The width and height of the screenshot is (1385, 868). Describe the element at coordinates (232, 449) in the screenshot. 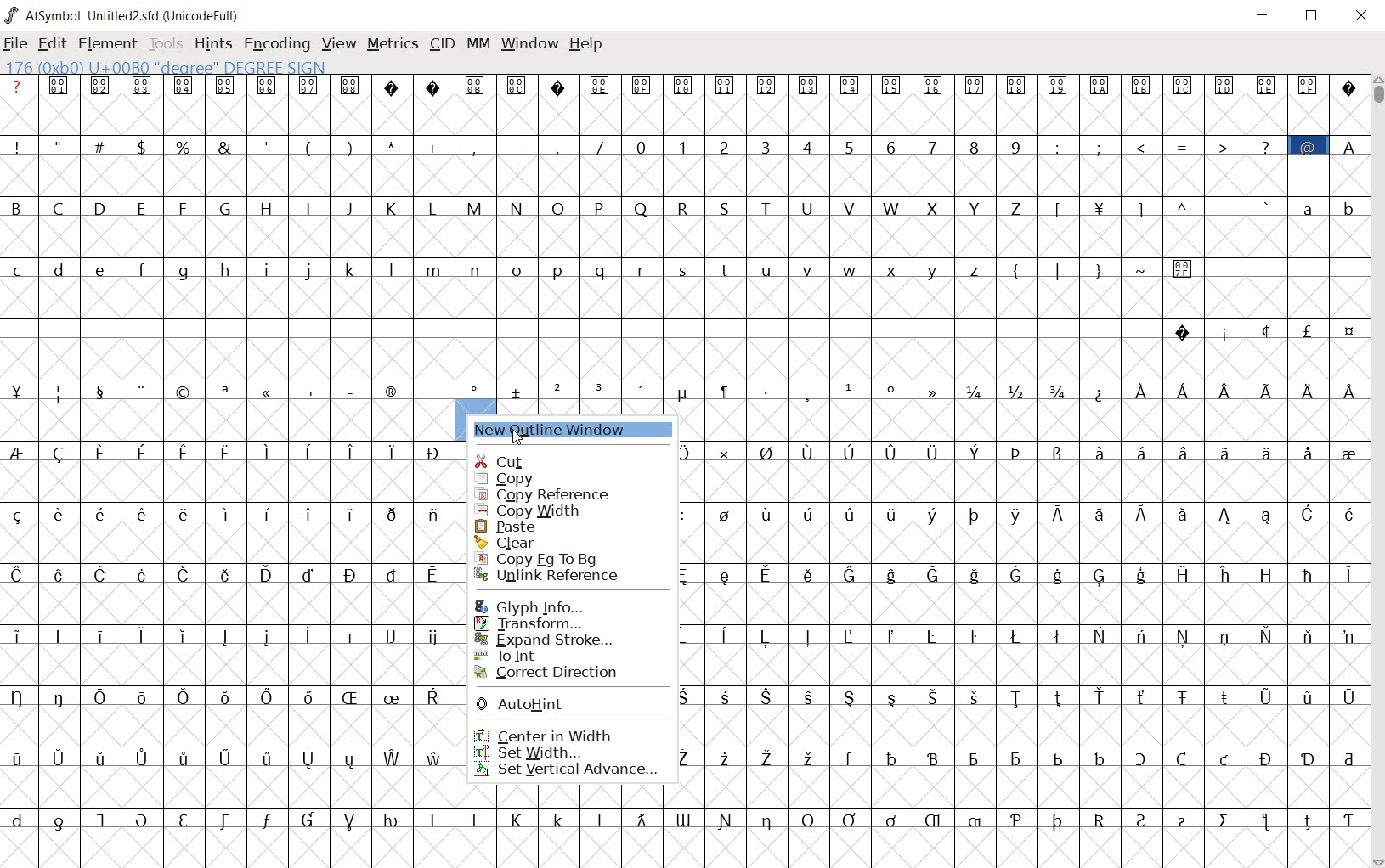

I see `special letters` at that location.